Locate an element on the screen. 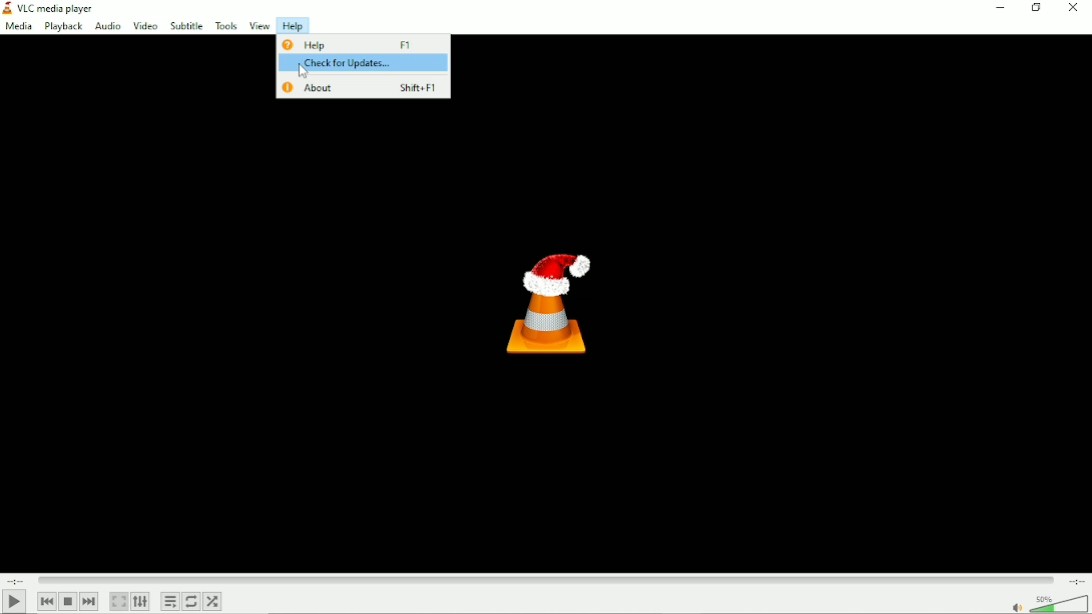 This screenshot has width=1092, height=614. Logo is located at coordinates (547, 302).